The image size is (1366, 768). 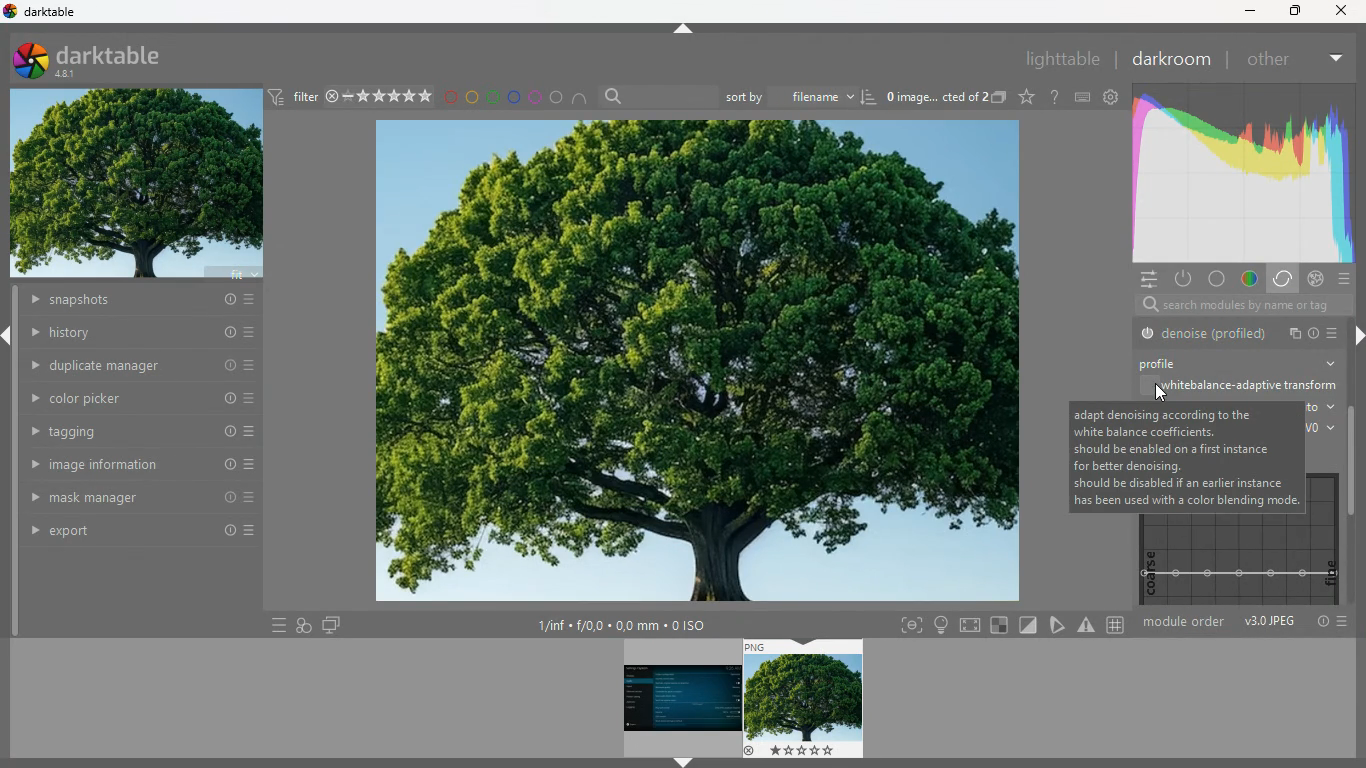 What do you see at coordinates (698, 364) in the screenshot?
I see `image` at bounding box center [698, 364].